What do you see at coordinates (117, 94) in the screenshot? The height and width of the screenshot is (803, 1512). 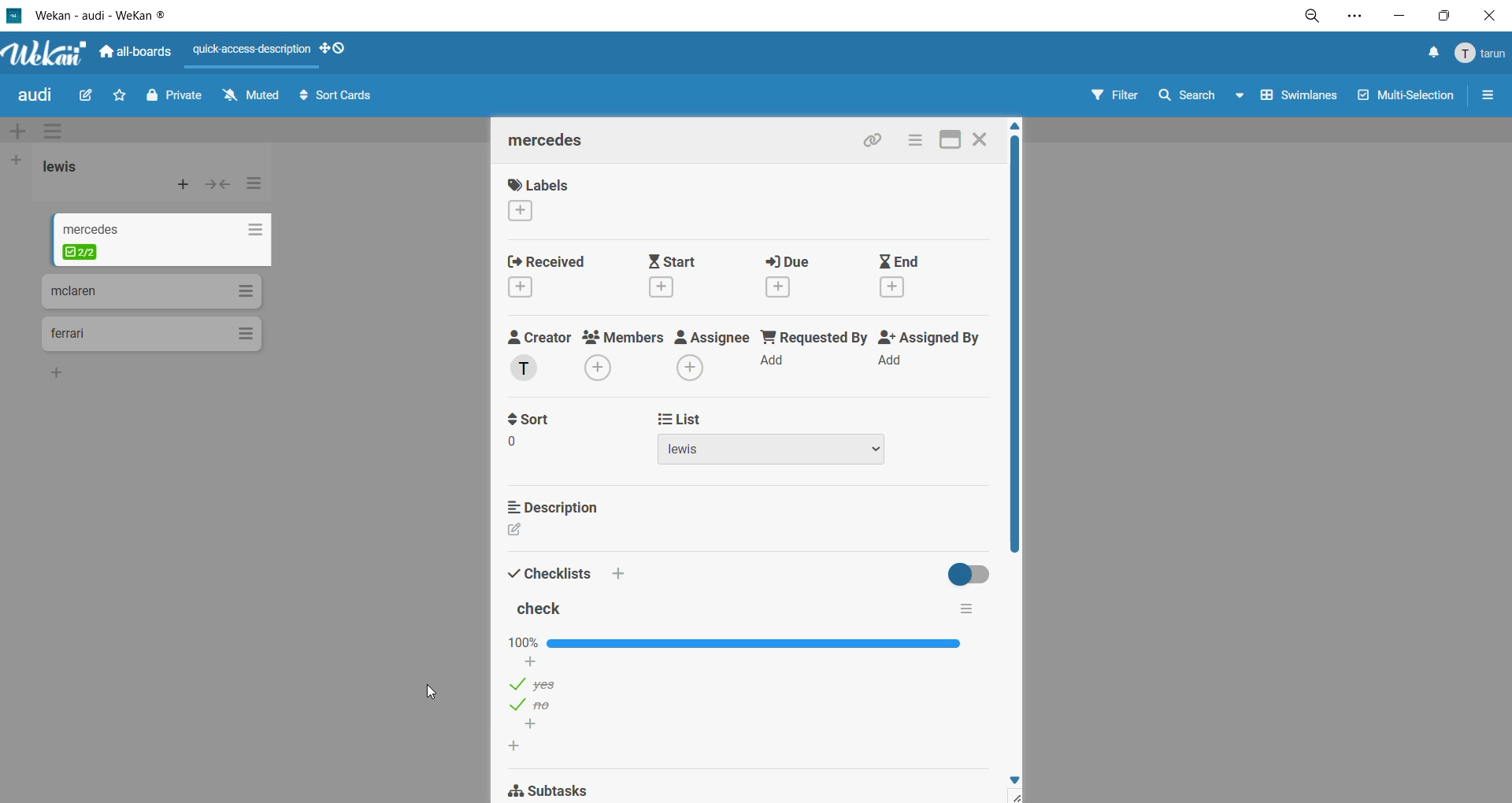 I see `star` at bounding box center [117, 94].